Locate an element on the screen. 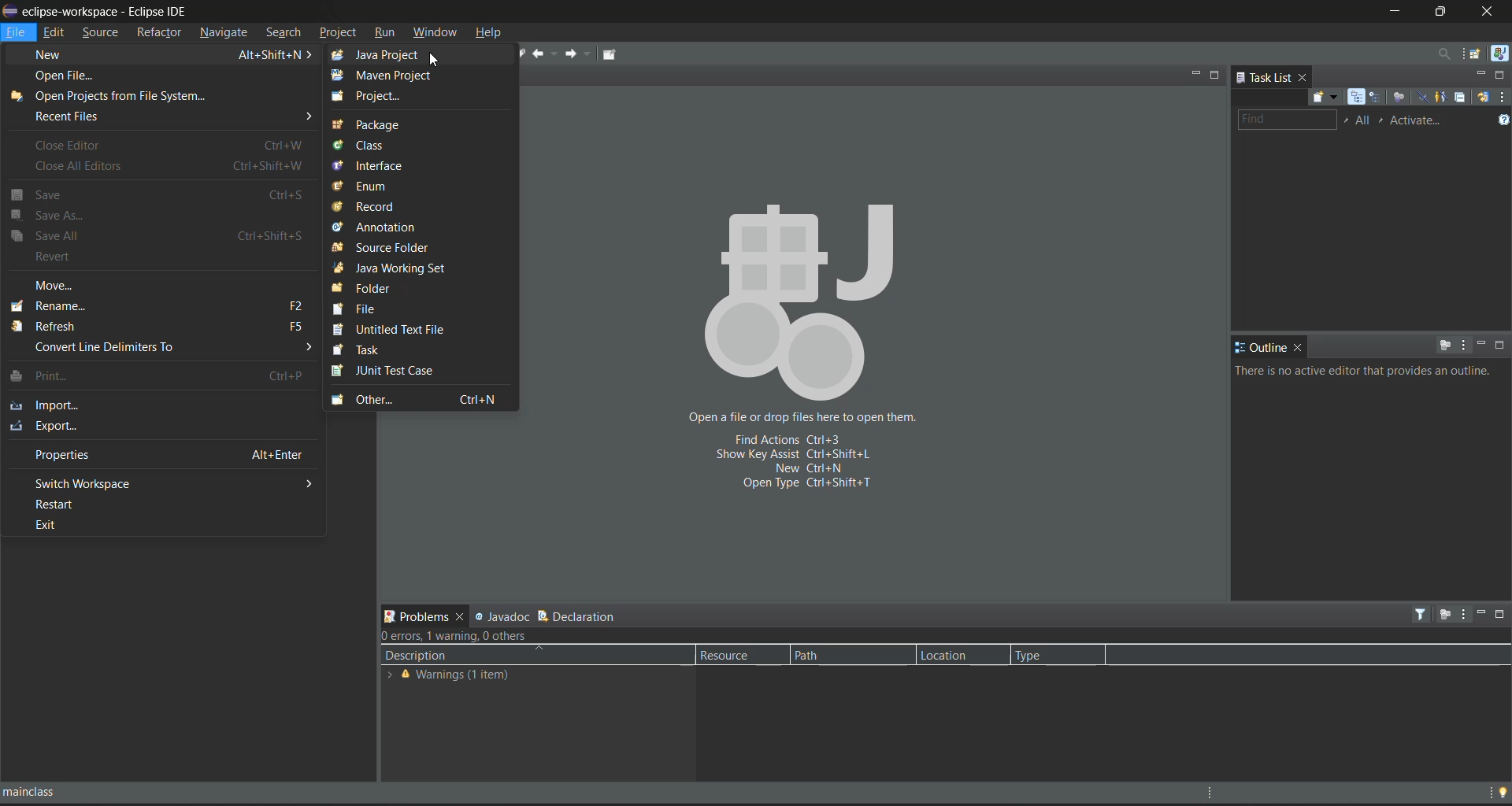 This screenshot has height=806, width=1512. open file is located at coordinates (161, 74).